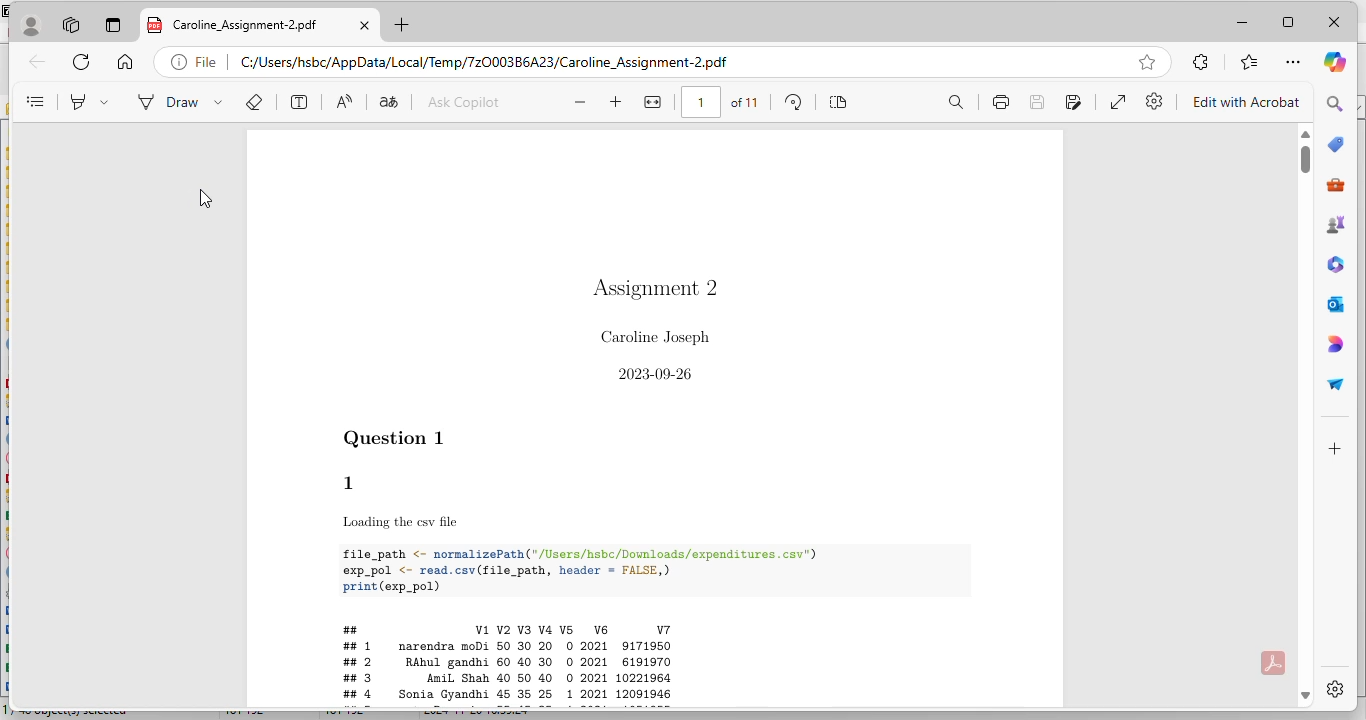 The height and width of the screenshot is (720, 1366). I want to click on zoom in, so click(616, 101).